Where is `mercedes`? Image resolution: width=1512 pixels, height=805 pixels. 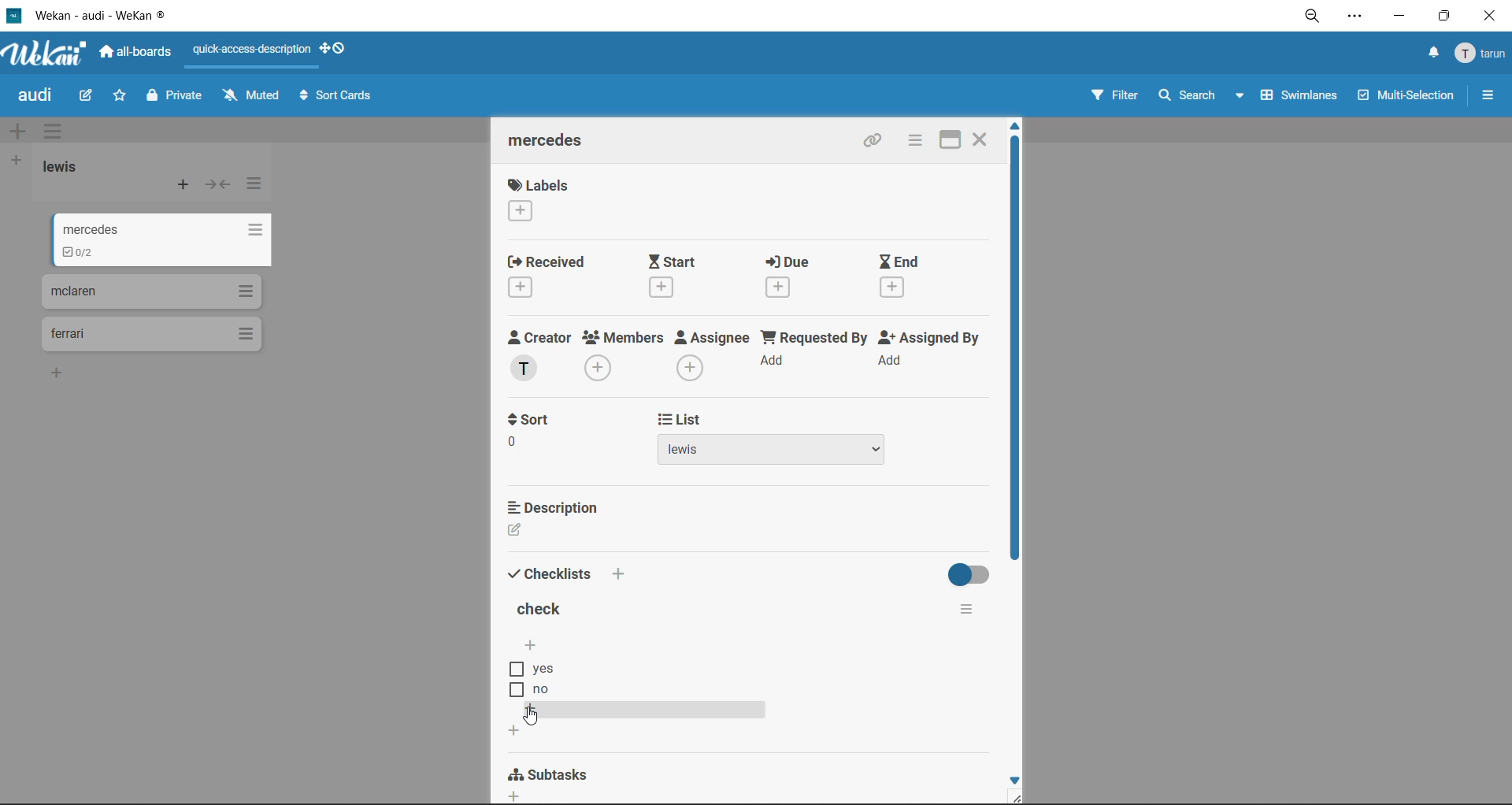
mercedes is located at coordinates (87, 224).